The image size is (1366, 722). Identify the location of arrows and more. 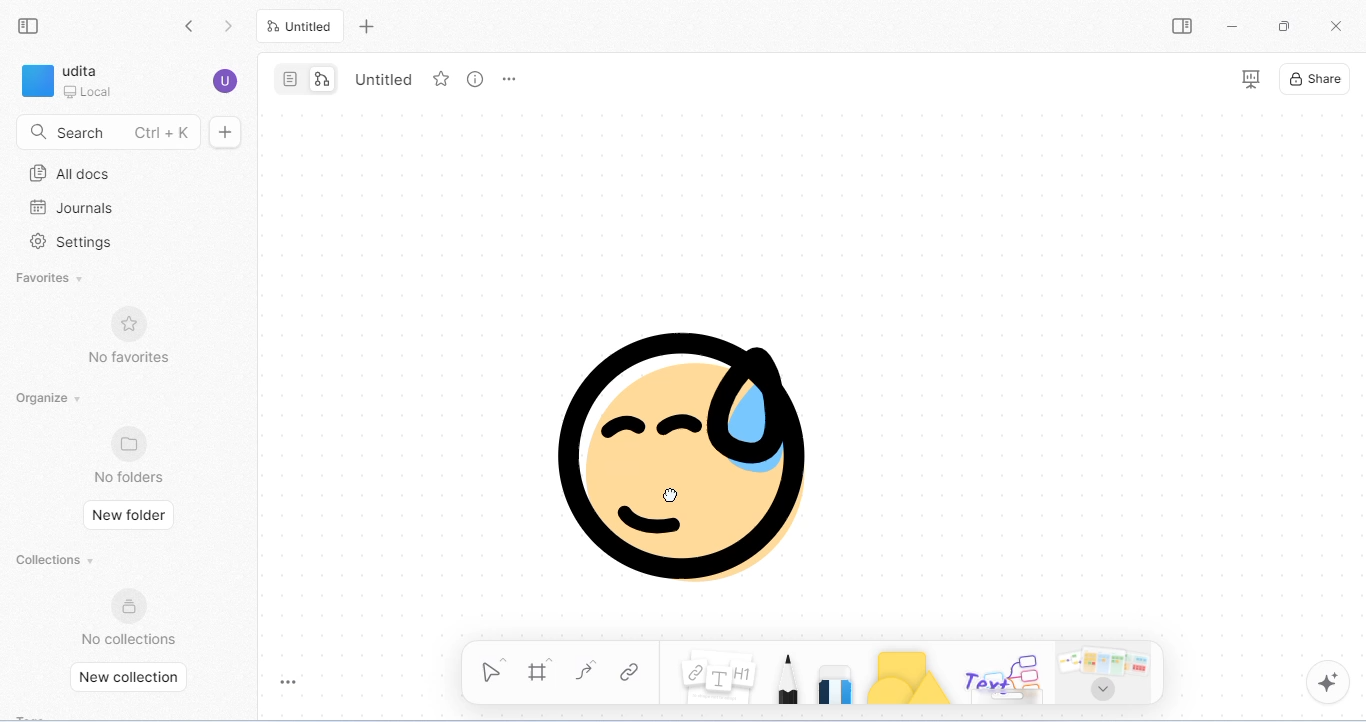
(1101, 674).